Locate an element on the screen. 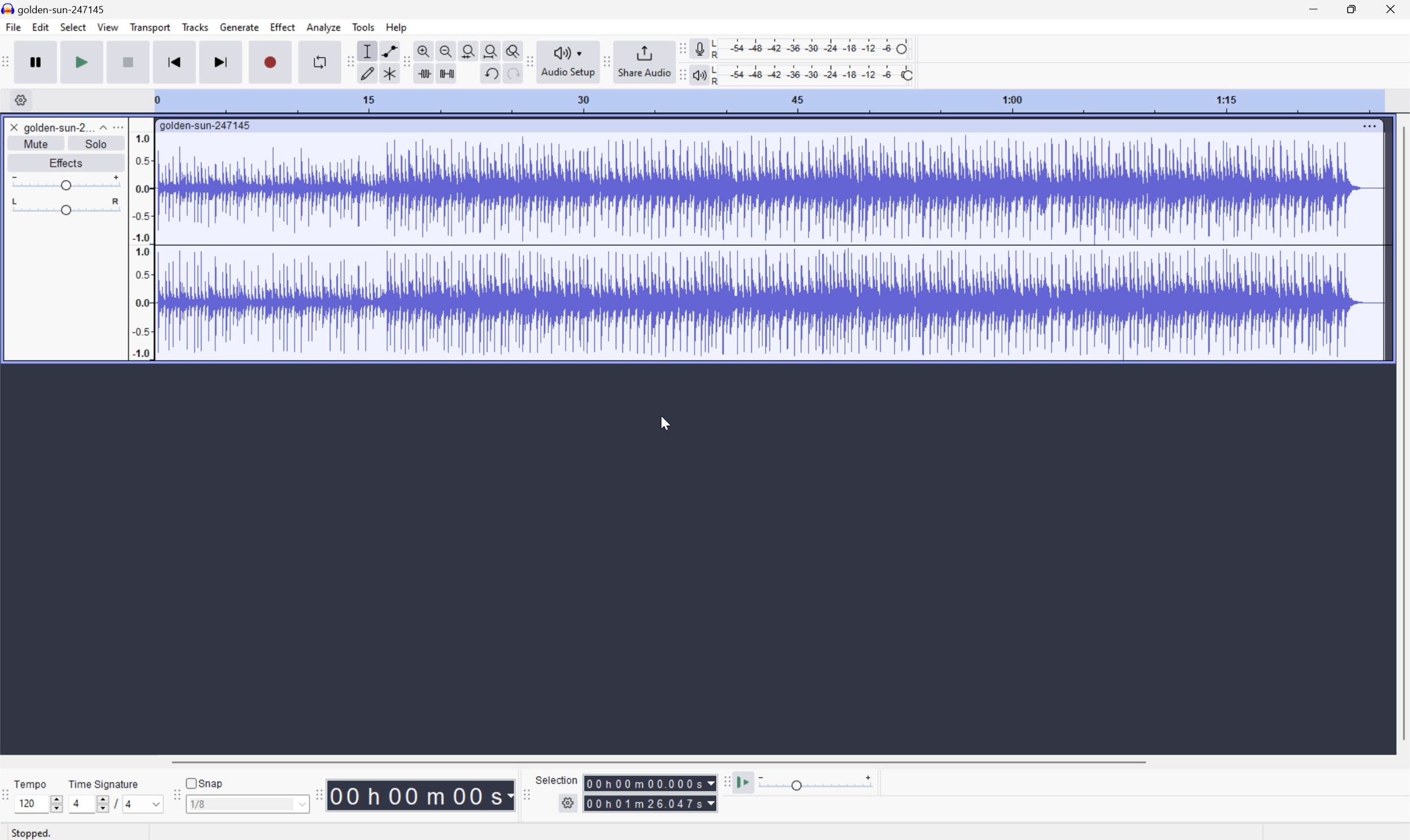  Generate is located at coordinates (241, 28).